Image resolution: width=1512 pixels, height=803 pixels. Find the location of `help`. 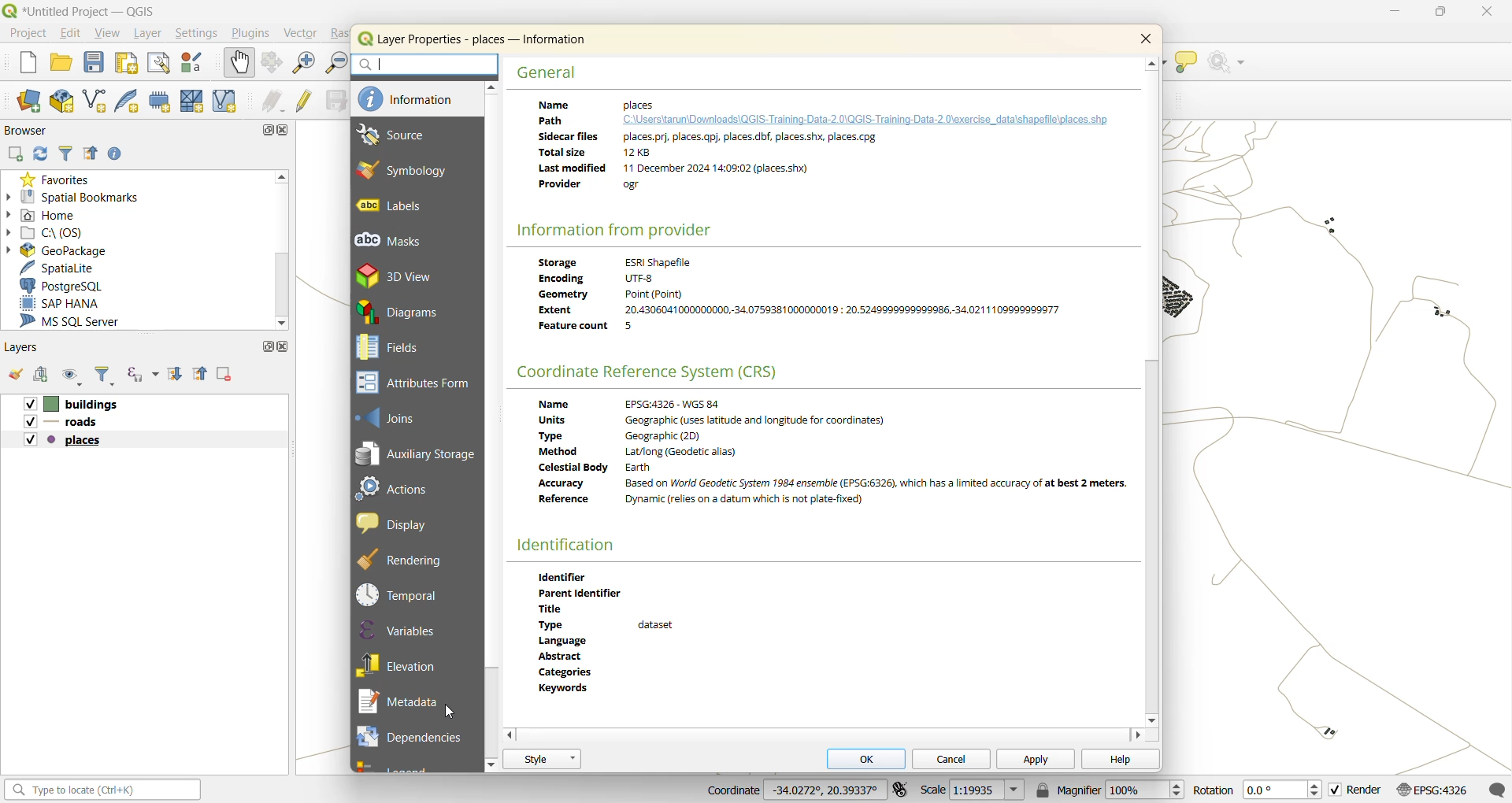

help is located at coordinates (1119, 759).